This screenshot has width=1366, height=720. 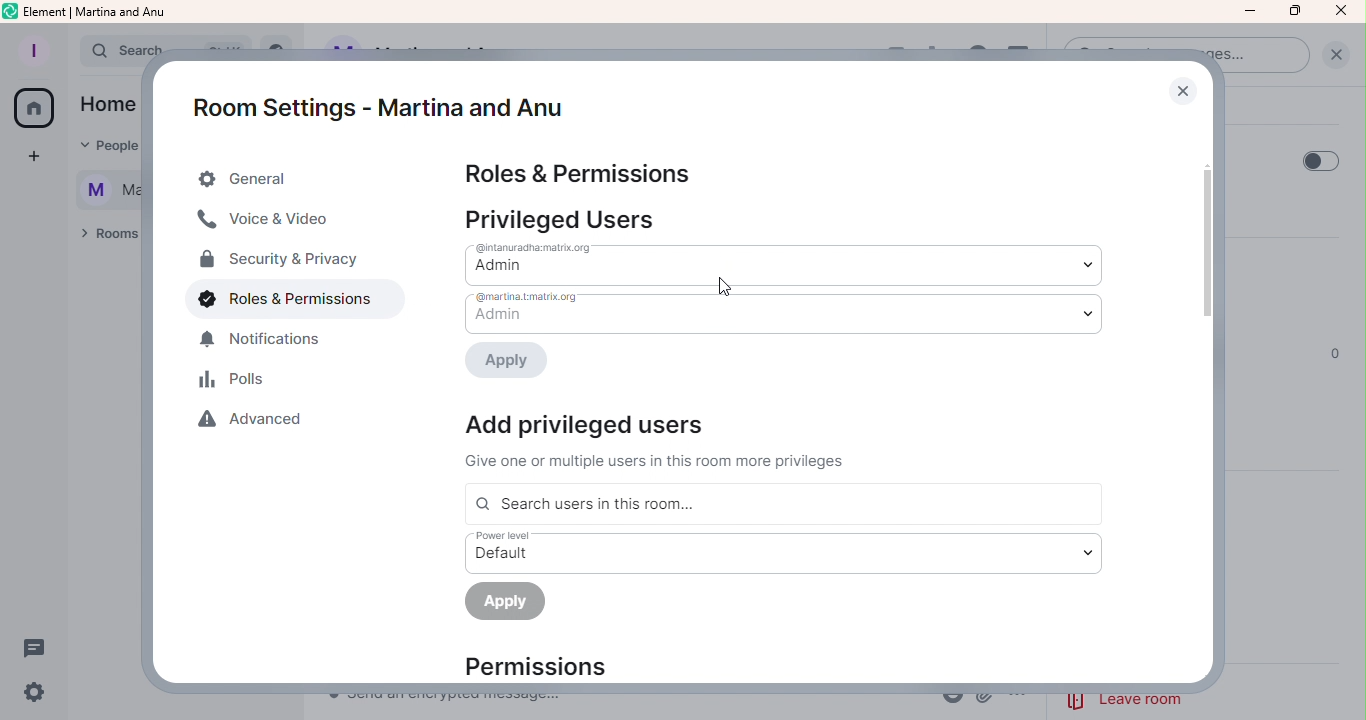 What do you see at coordinates (104, 238) in the screenshot?
I see `Rooms` at bounding box center [104, 238].